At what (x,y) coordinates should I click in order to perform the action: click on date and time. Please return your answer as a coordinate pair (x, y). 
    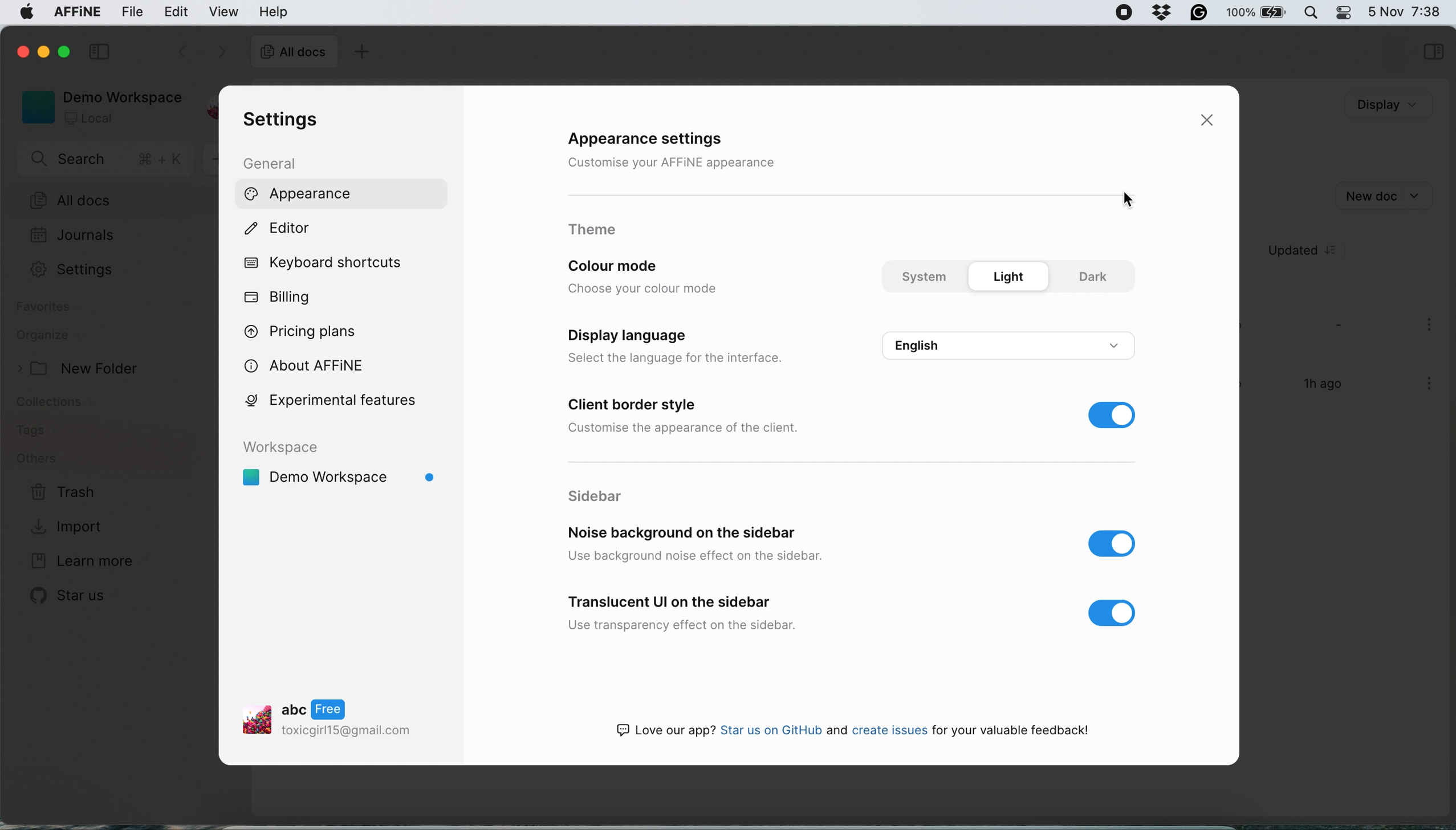
    Looking at the image, I should click on (1405, 10).